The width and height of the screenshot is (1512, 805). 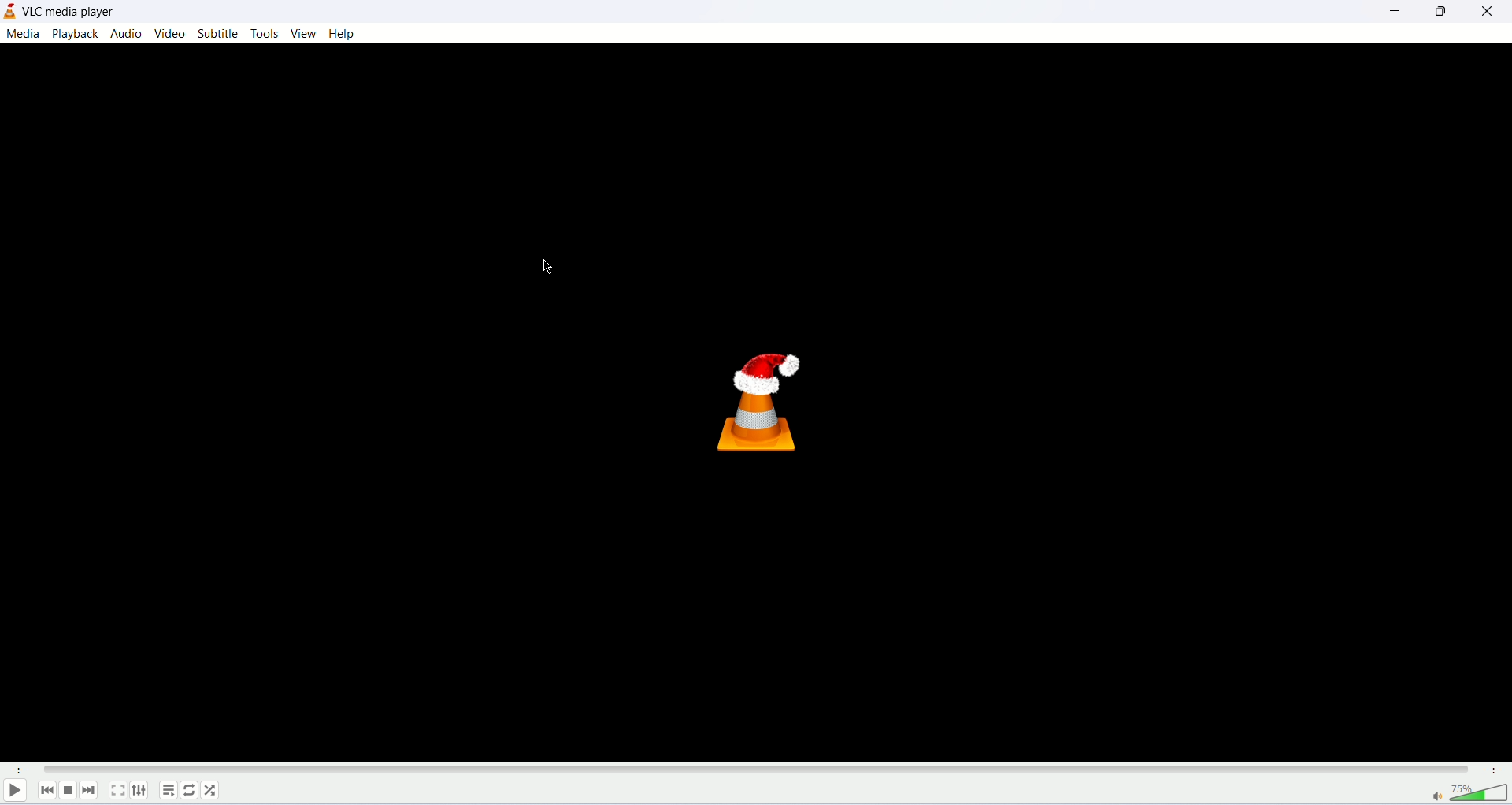 What do you see at coordinates (1497, 770) in the screenshot?
I see `total time` at bounding box center [1497, 770].